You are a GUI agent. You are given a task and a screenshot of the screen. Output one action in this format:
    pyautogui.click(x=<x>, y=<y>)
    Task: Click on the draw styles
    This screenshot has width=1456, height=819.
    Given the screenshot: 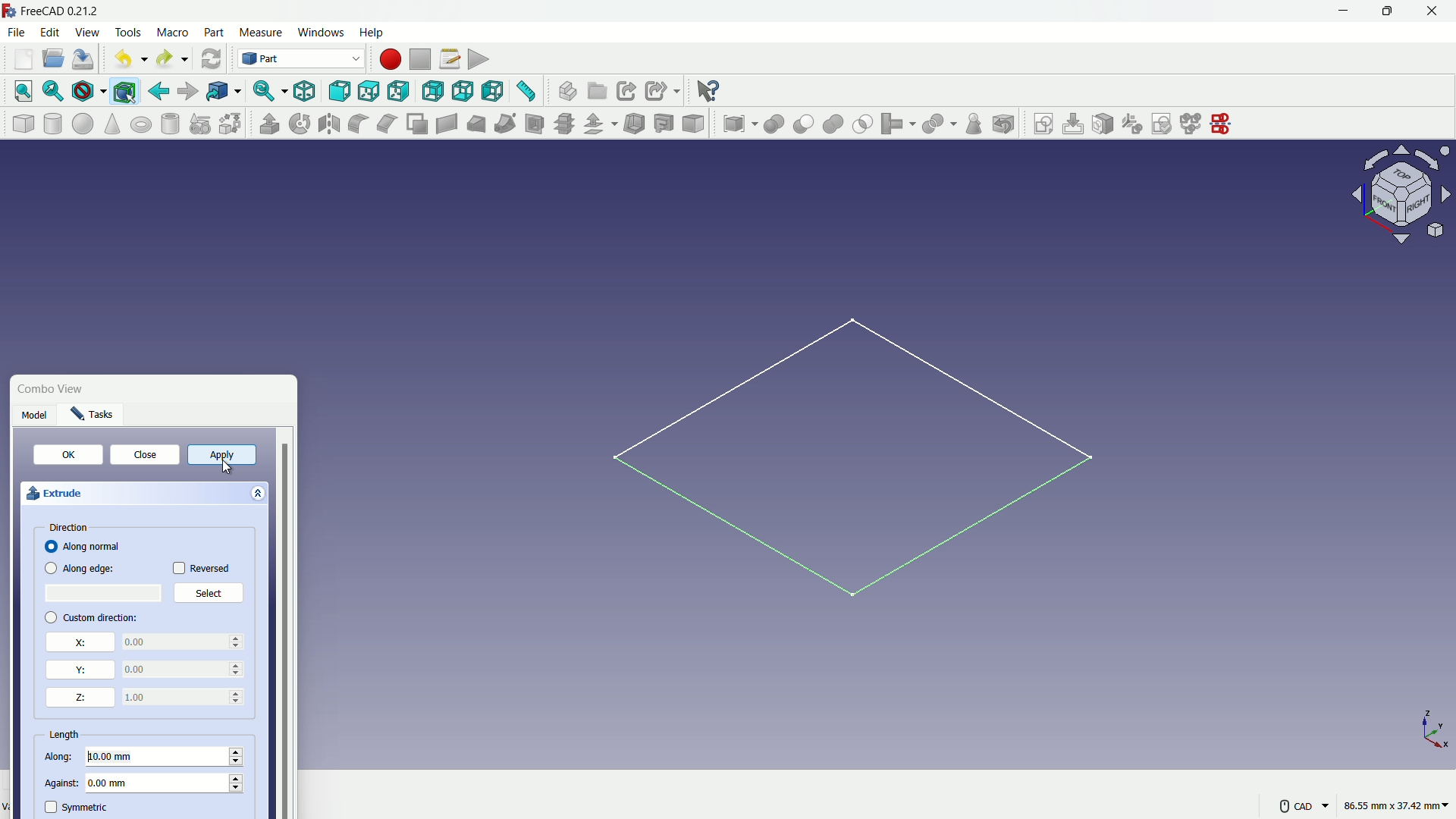 What is the action you would take?
    pyautogui.click(x=90, y=92)
    